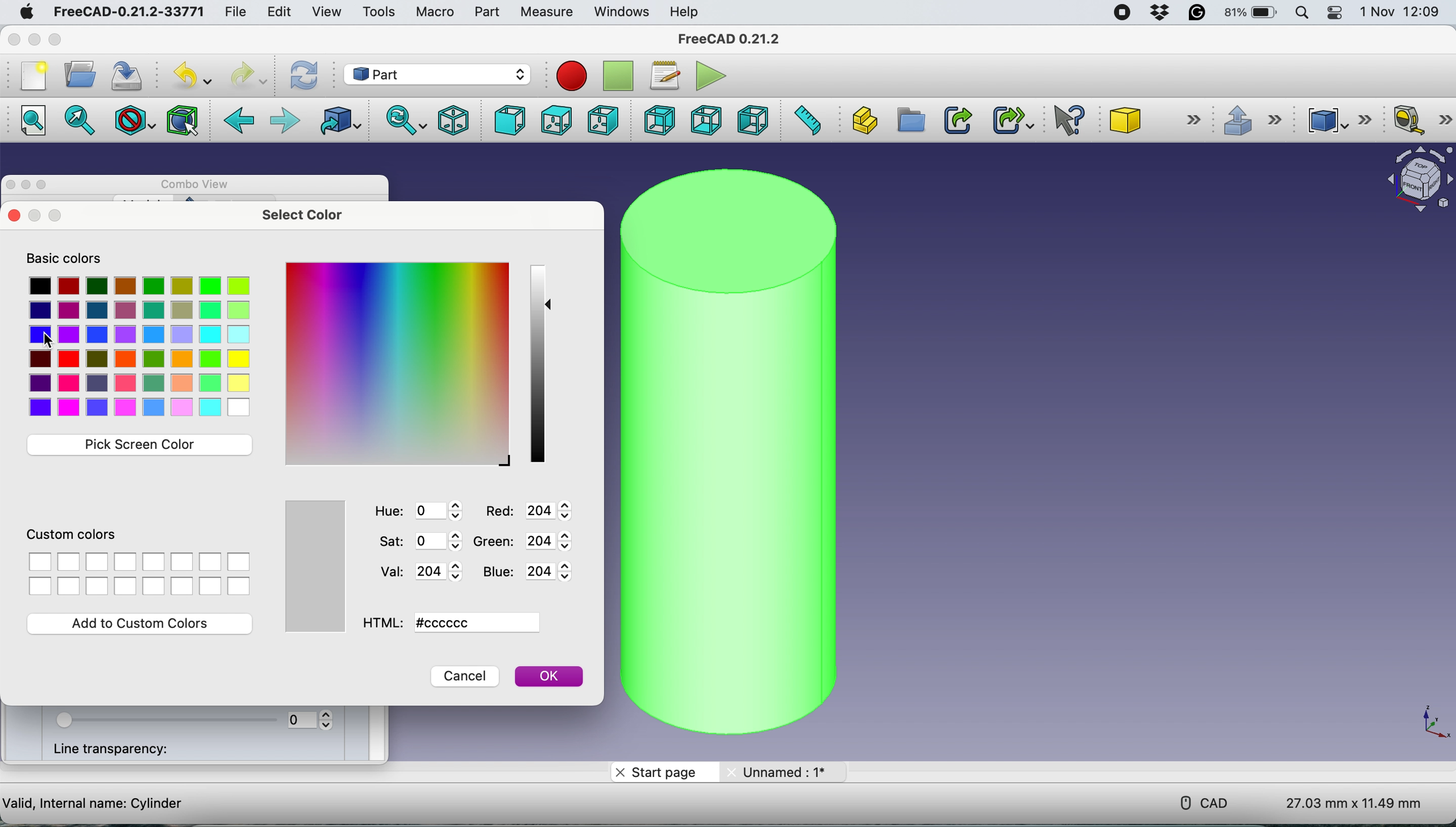  I want to click on val, so click(414, 571).